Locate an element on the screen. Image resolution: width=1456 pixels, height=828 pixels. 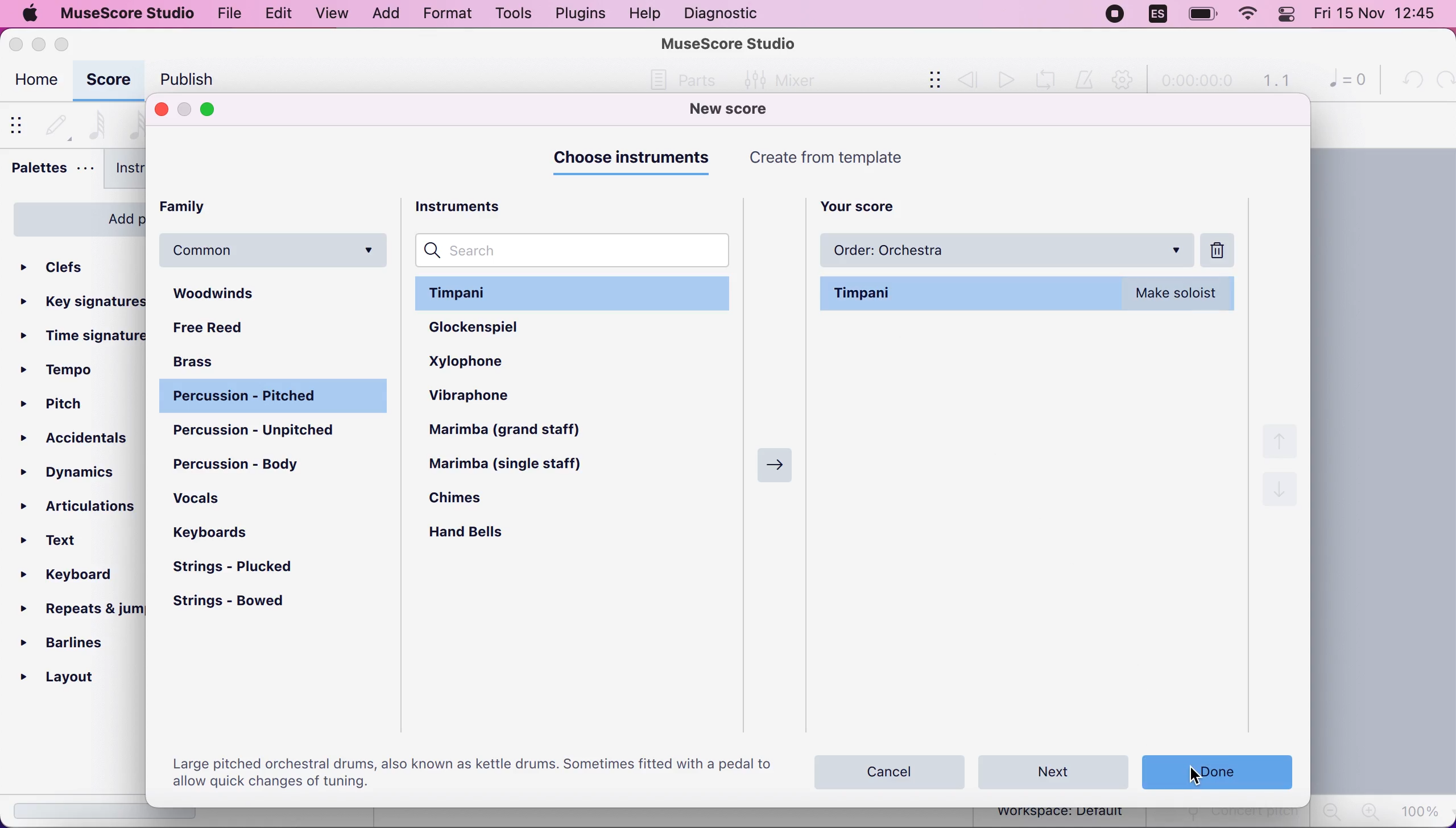
close is located at coordinates (17, 44).